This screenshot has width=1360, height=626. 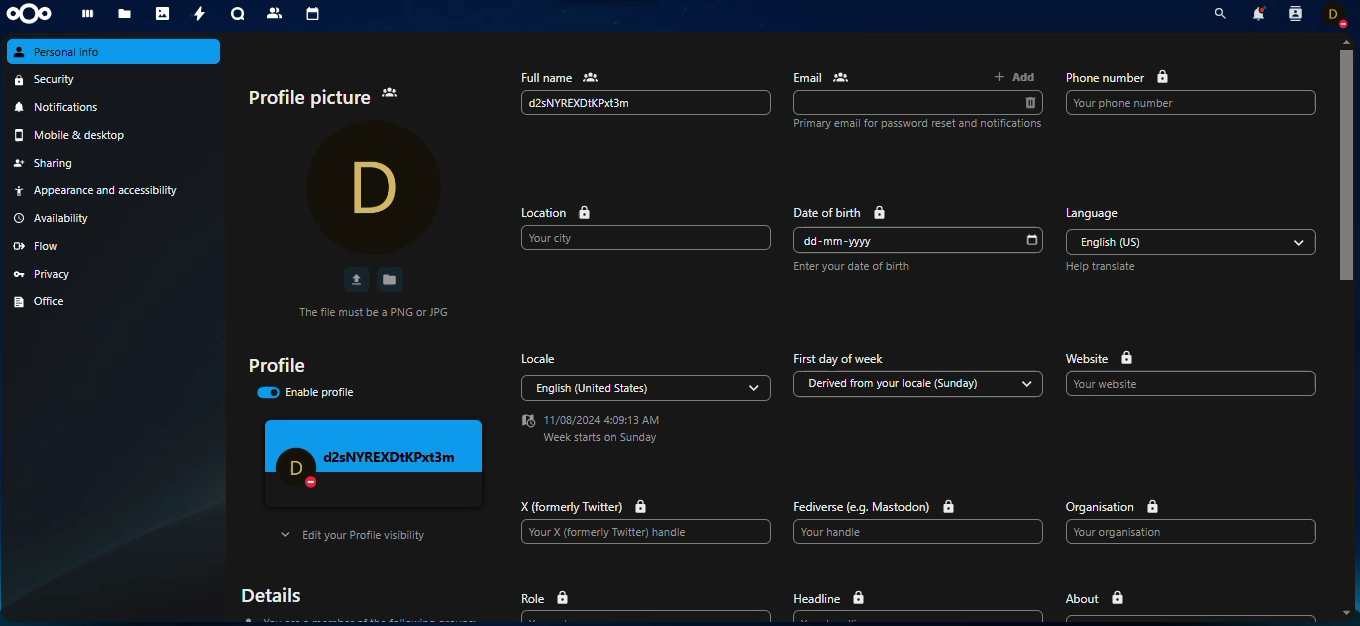 I want to click on delete, so click(x=1030, y=102).